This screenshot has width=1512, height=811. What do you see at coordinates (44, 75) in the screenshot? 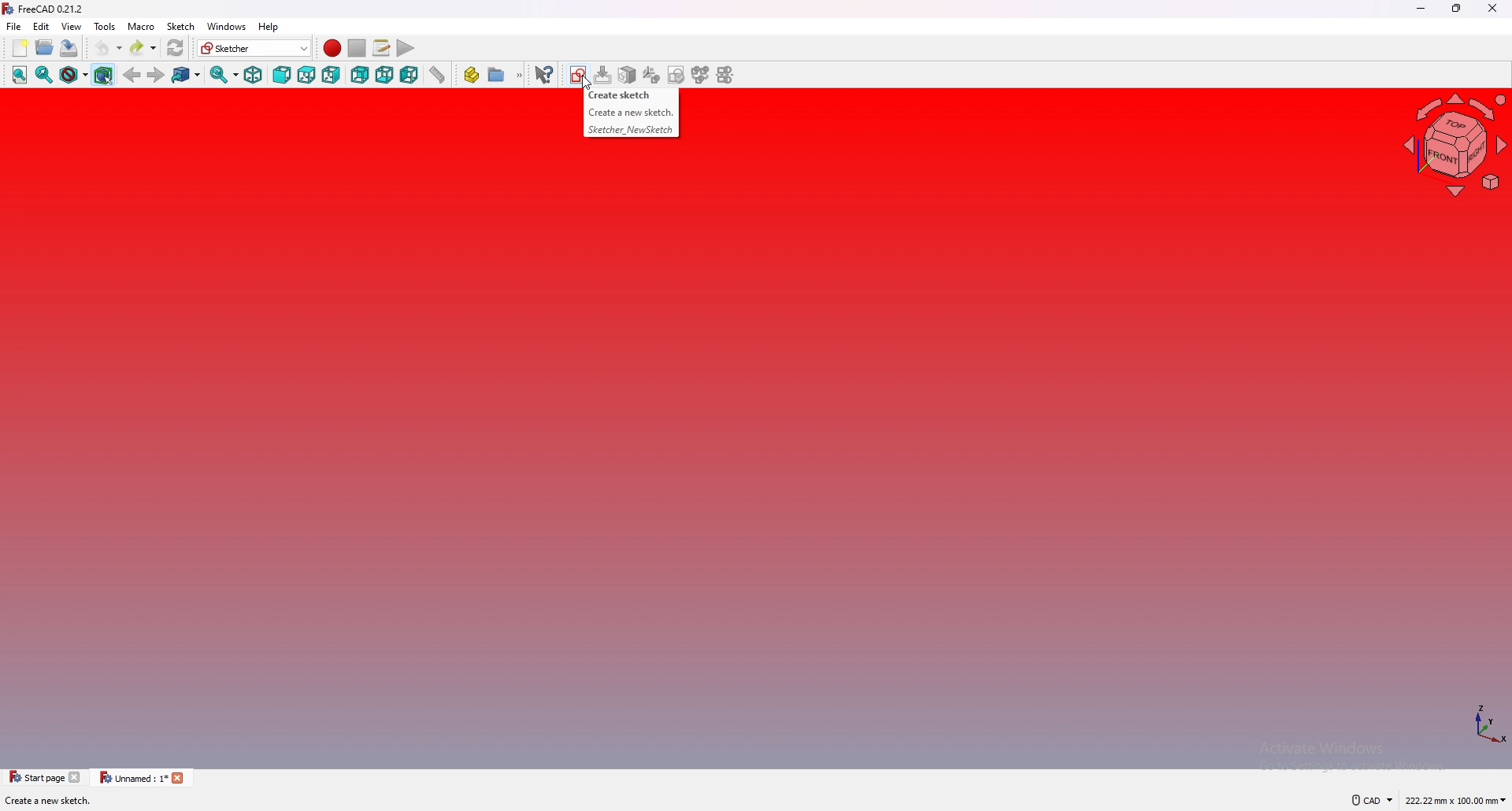
I see `fit selection` at bounding box center [44, 75].